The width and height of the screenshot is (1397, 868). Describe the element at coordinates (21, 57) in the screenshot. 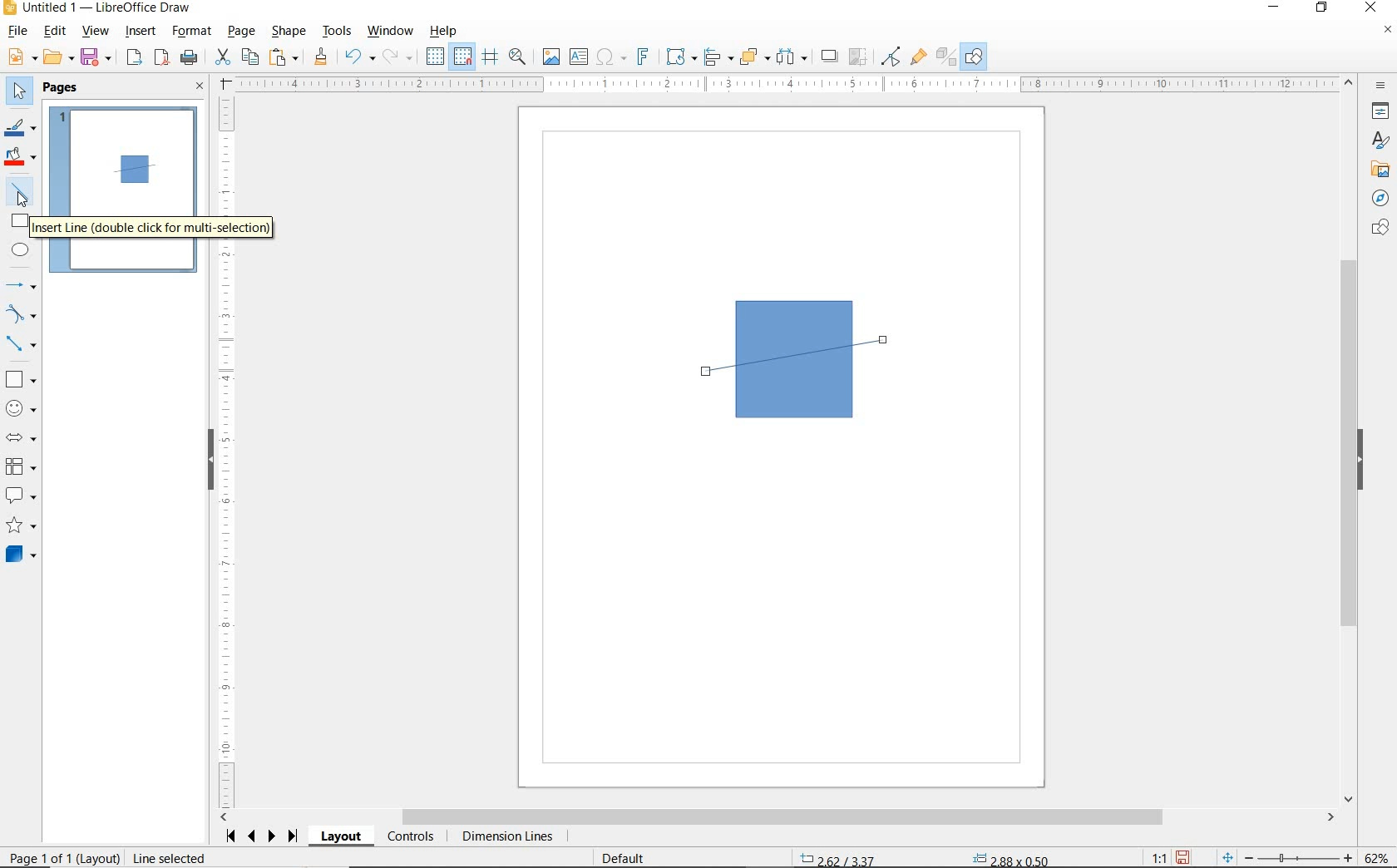

I see `NEW` at that location.